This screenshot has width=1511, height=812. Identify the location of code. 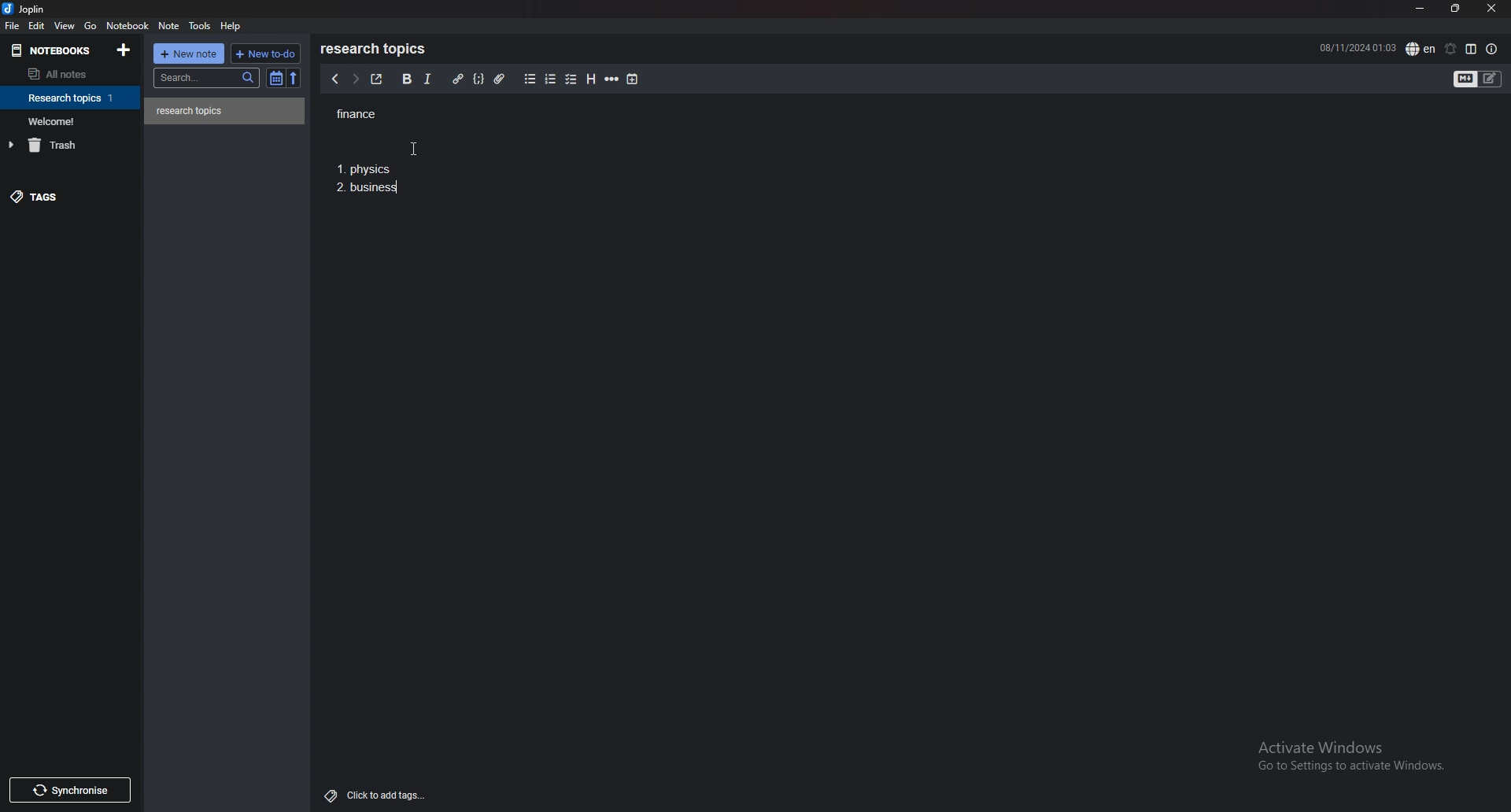
(479, 78).